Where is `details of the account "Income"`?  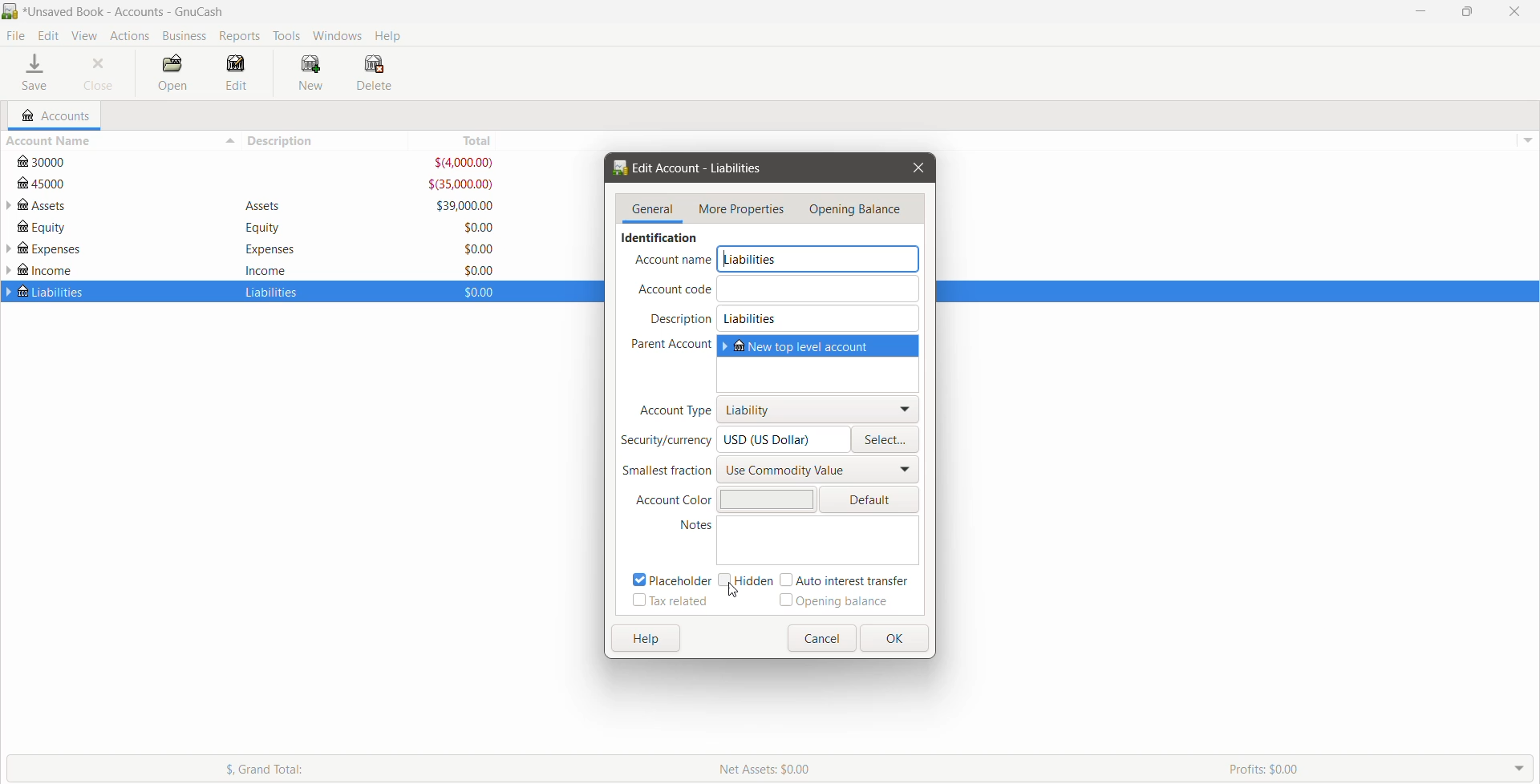
details of the account "Income" is located at coordinates (266, 269).